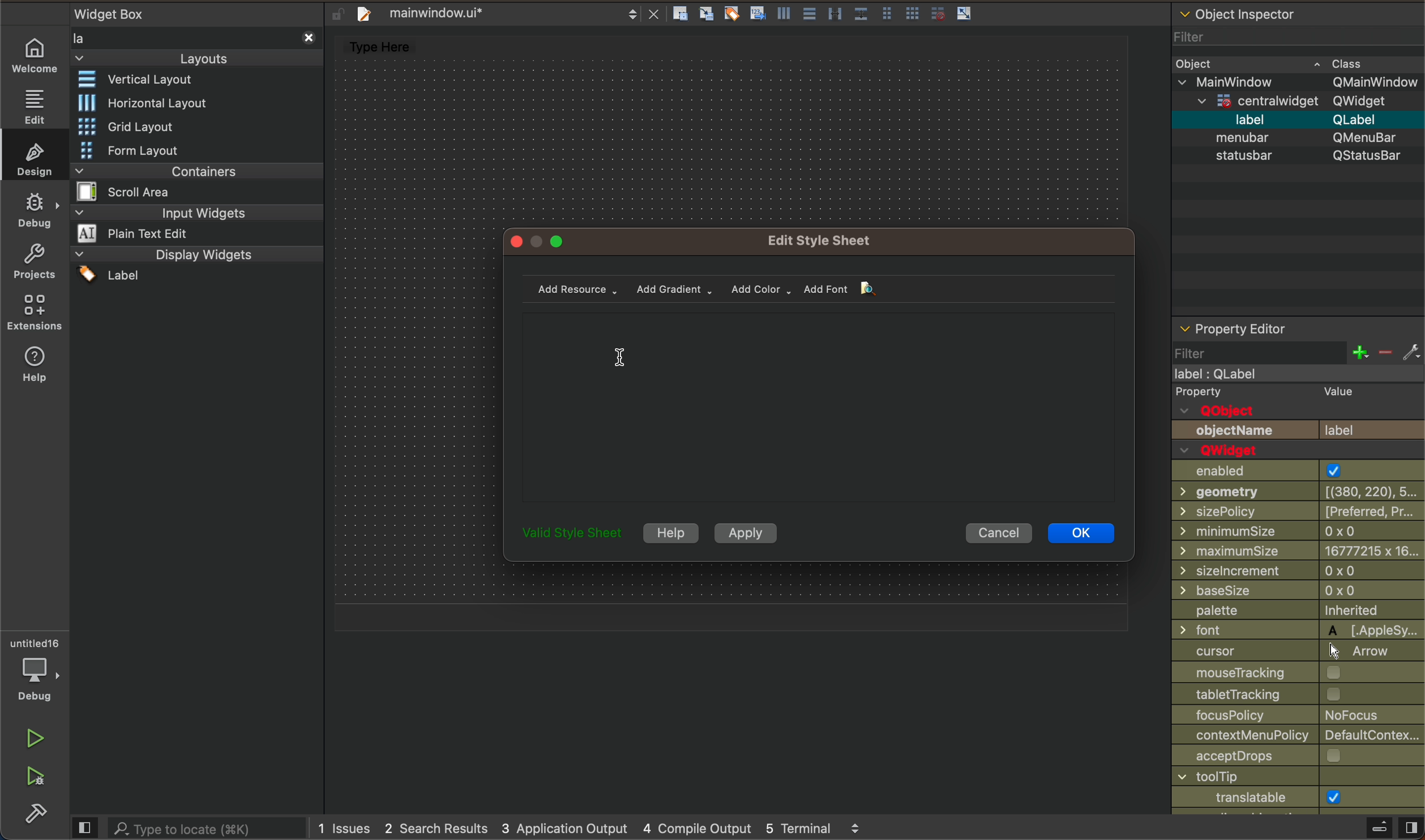  Describe the element at coordinates (1281, 64) in the screenshot. I see `object` at that location.